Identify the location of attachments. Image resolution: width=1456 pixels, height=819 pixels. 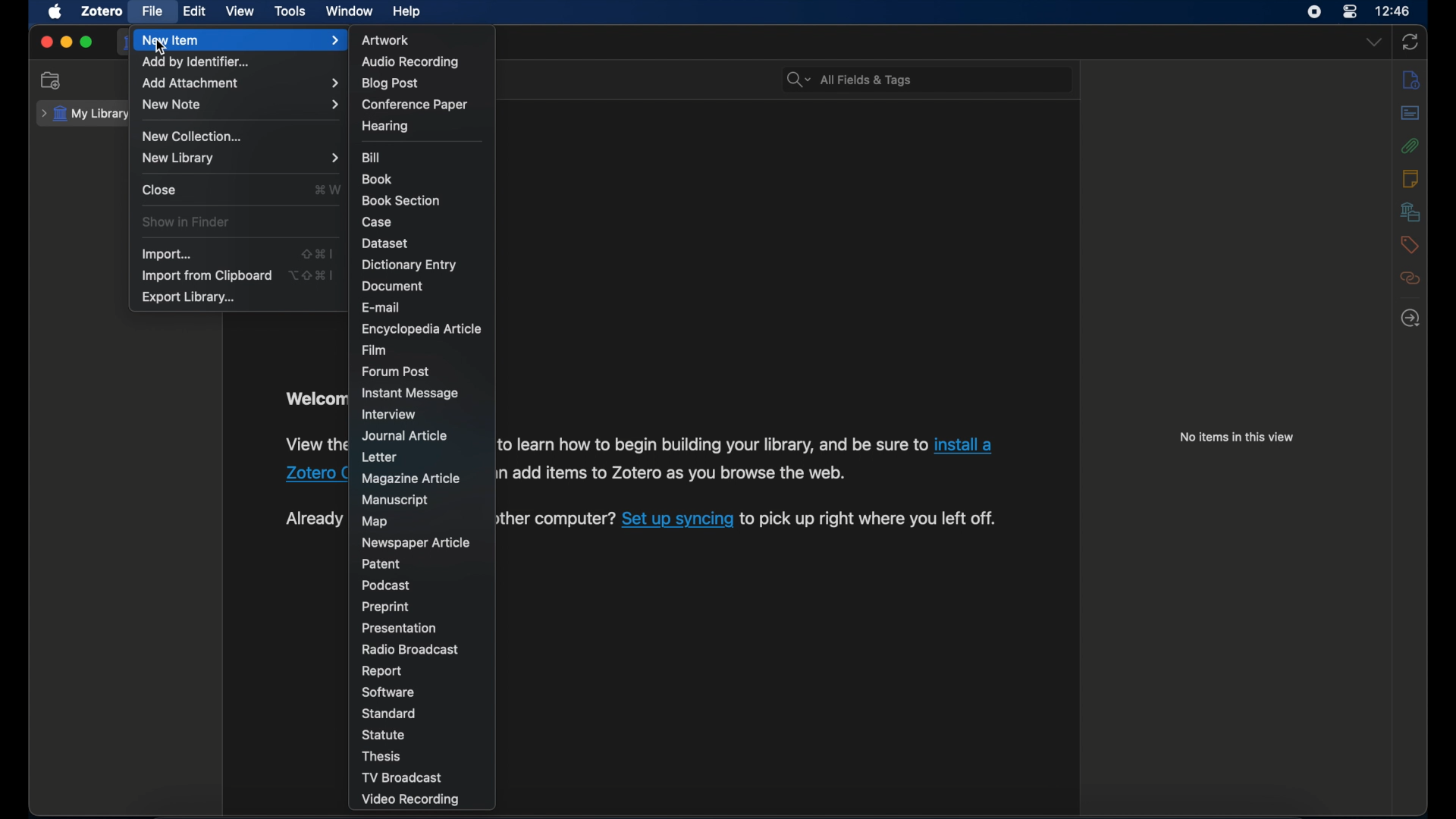
(1411, 146).